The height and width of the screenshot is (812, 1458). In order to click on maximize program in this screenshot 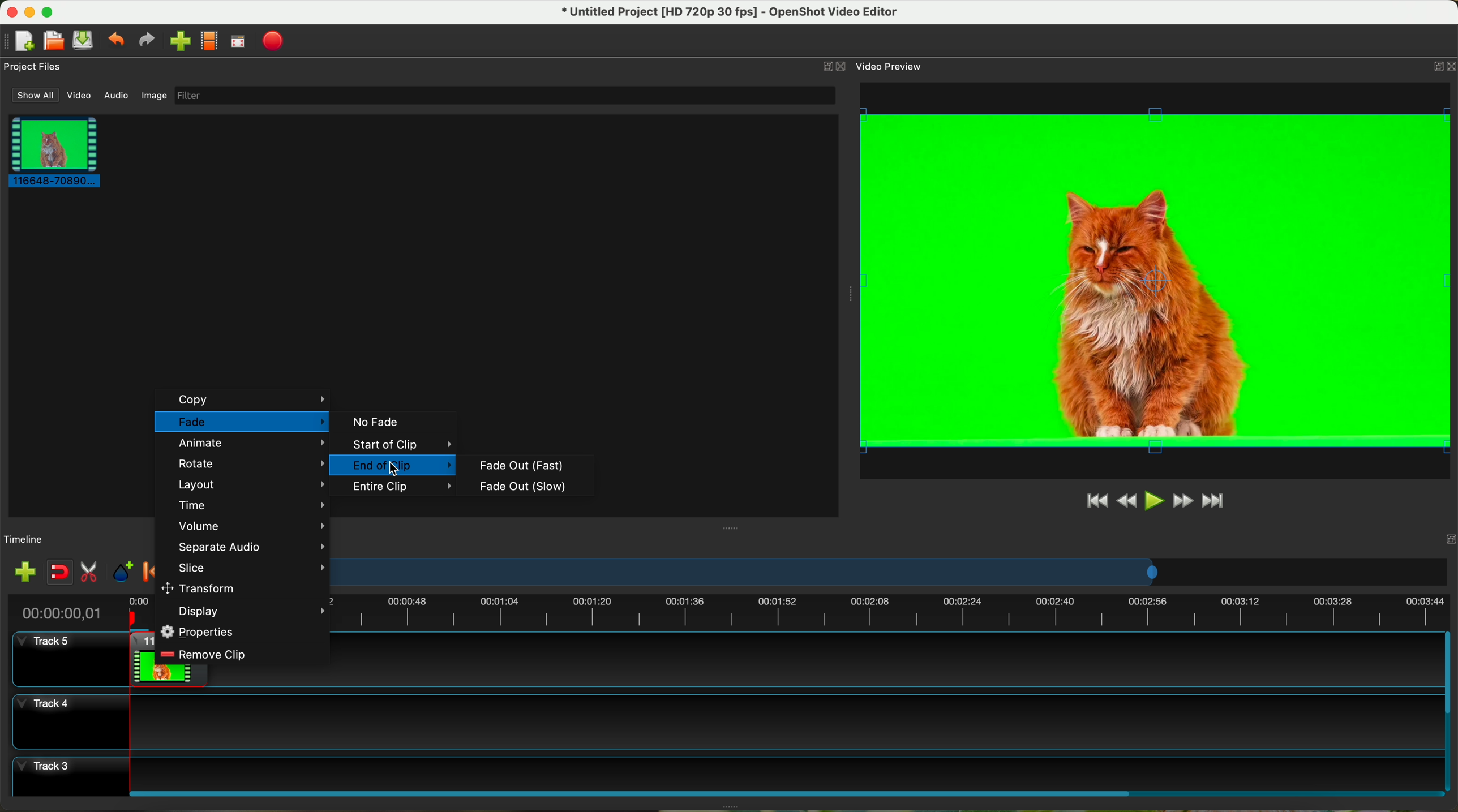, I will do `click(49, 12)`.